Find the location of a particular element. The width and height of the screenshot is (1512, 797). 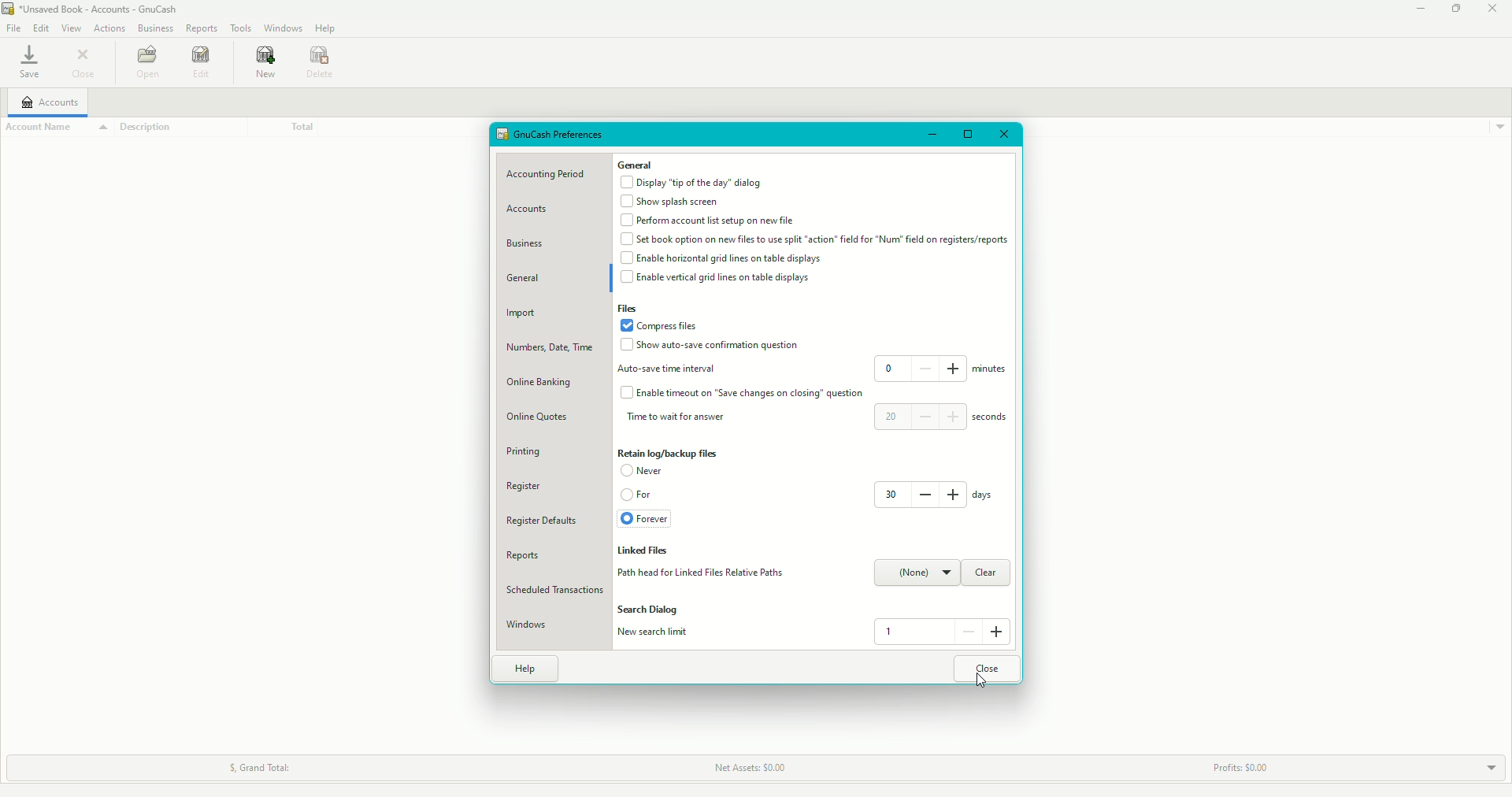

General is located at coordinates (636, 165).